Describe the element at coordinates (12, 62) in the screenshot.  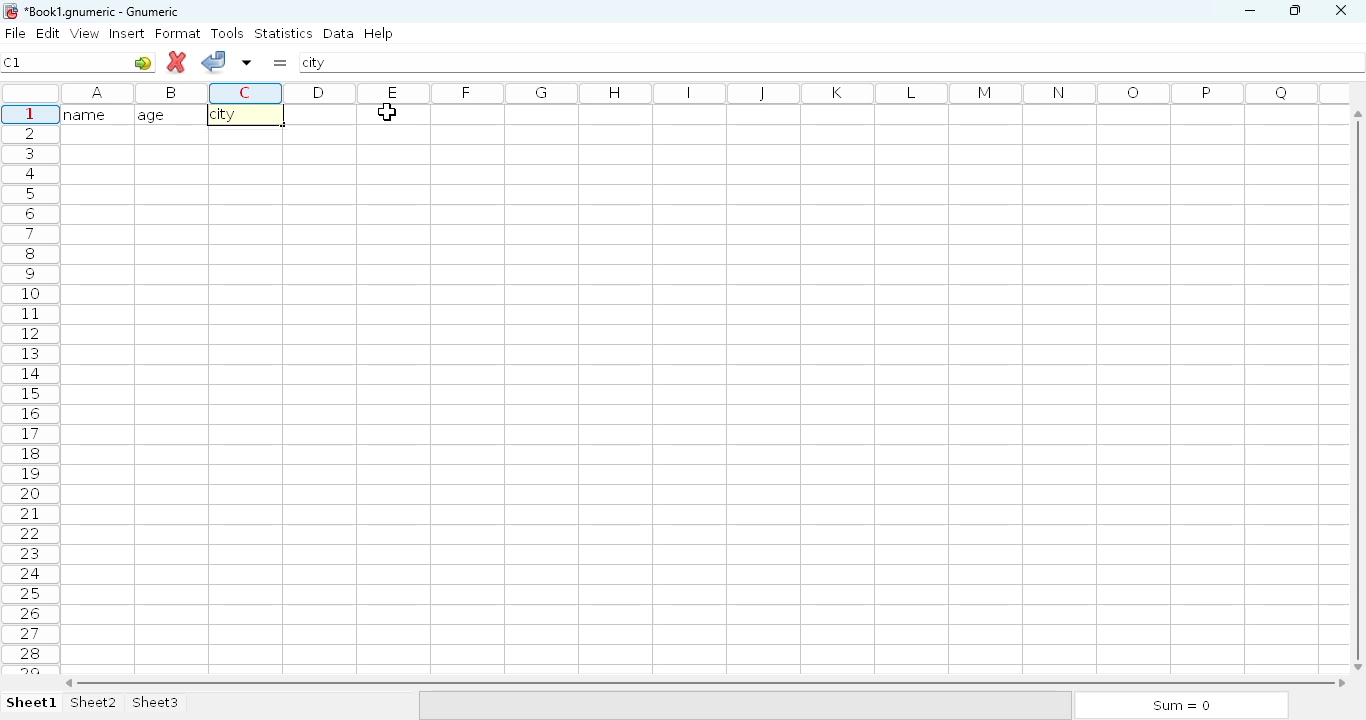
I see `C1` at that location.